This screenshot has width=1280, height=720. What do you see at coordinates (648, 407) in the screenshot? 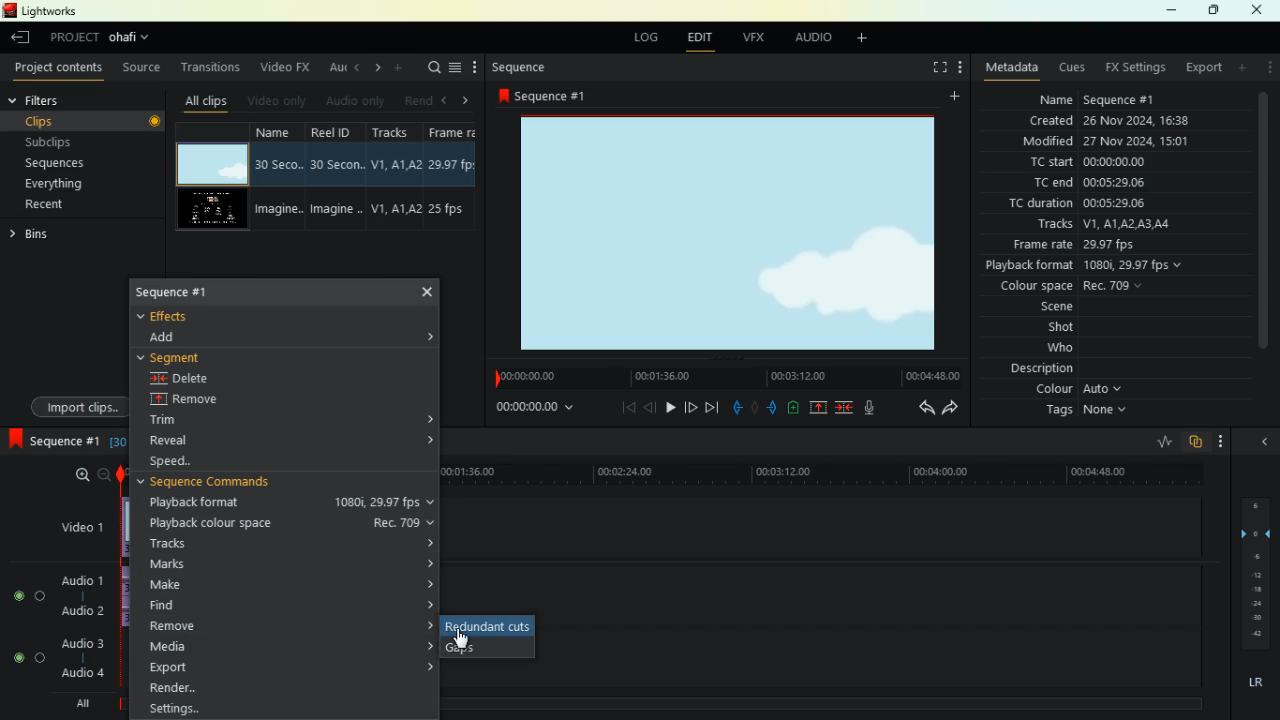
I see `back` at bounding box center [648, 407].